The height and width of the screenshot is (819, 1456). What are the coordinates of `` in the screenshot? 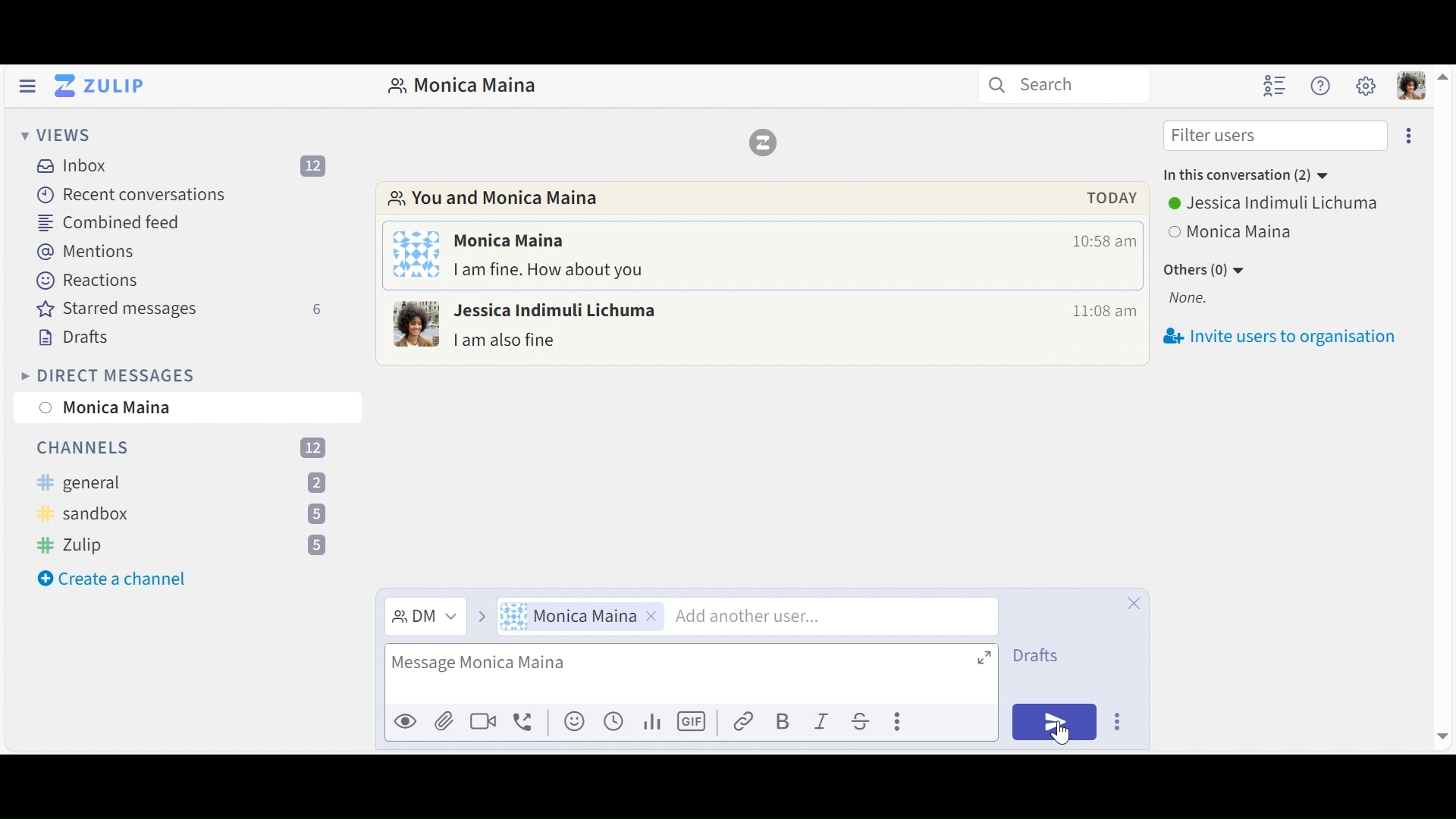 It's located at (1289, 206).